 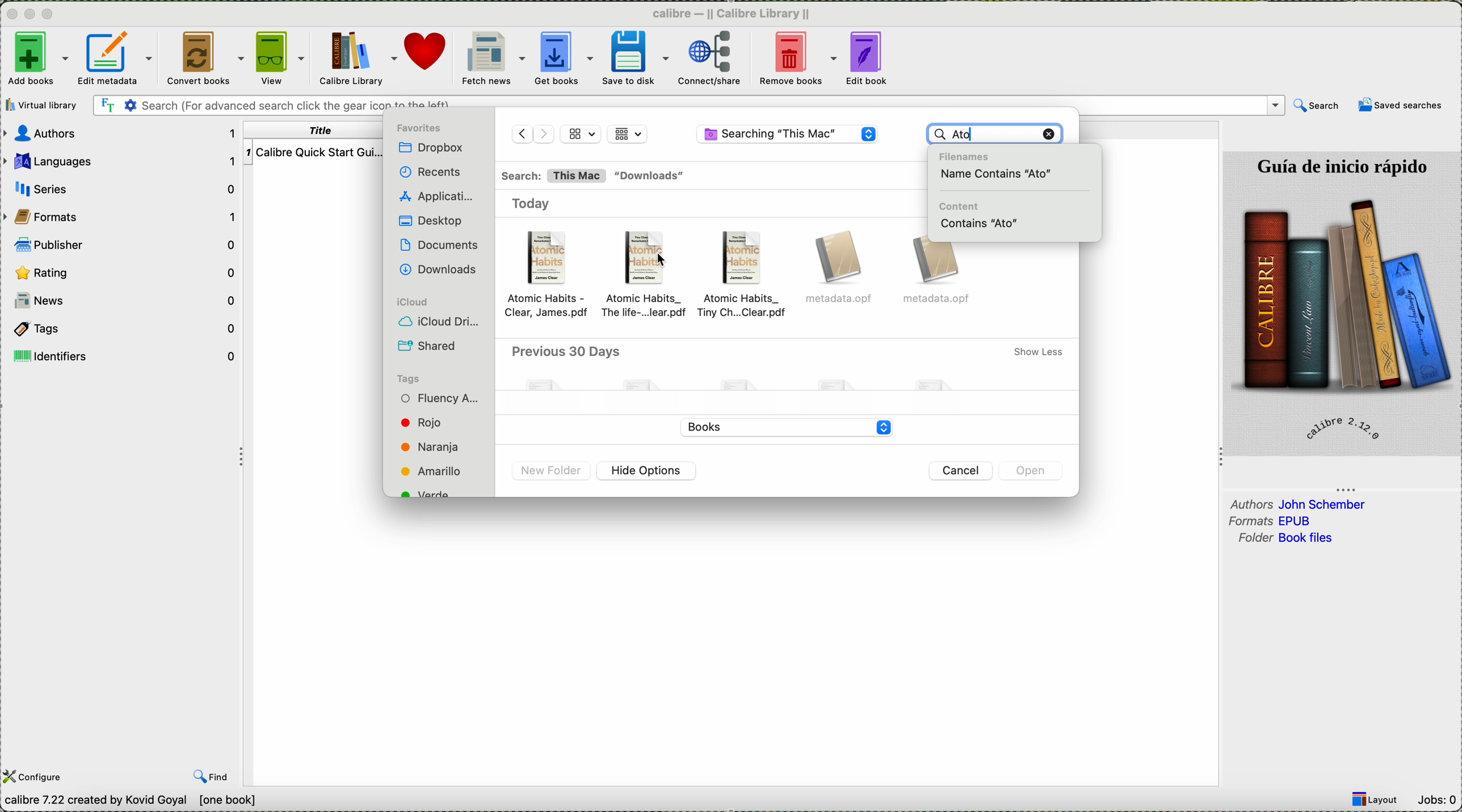 What do you see at coordinates (647, 471) in the screenshot?
I see `hide options` at bounding box center [647, 471].